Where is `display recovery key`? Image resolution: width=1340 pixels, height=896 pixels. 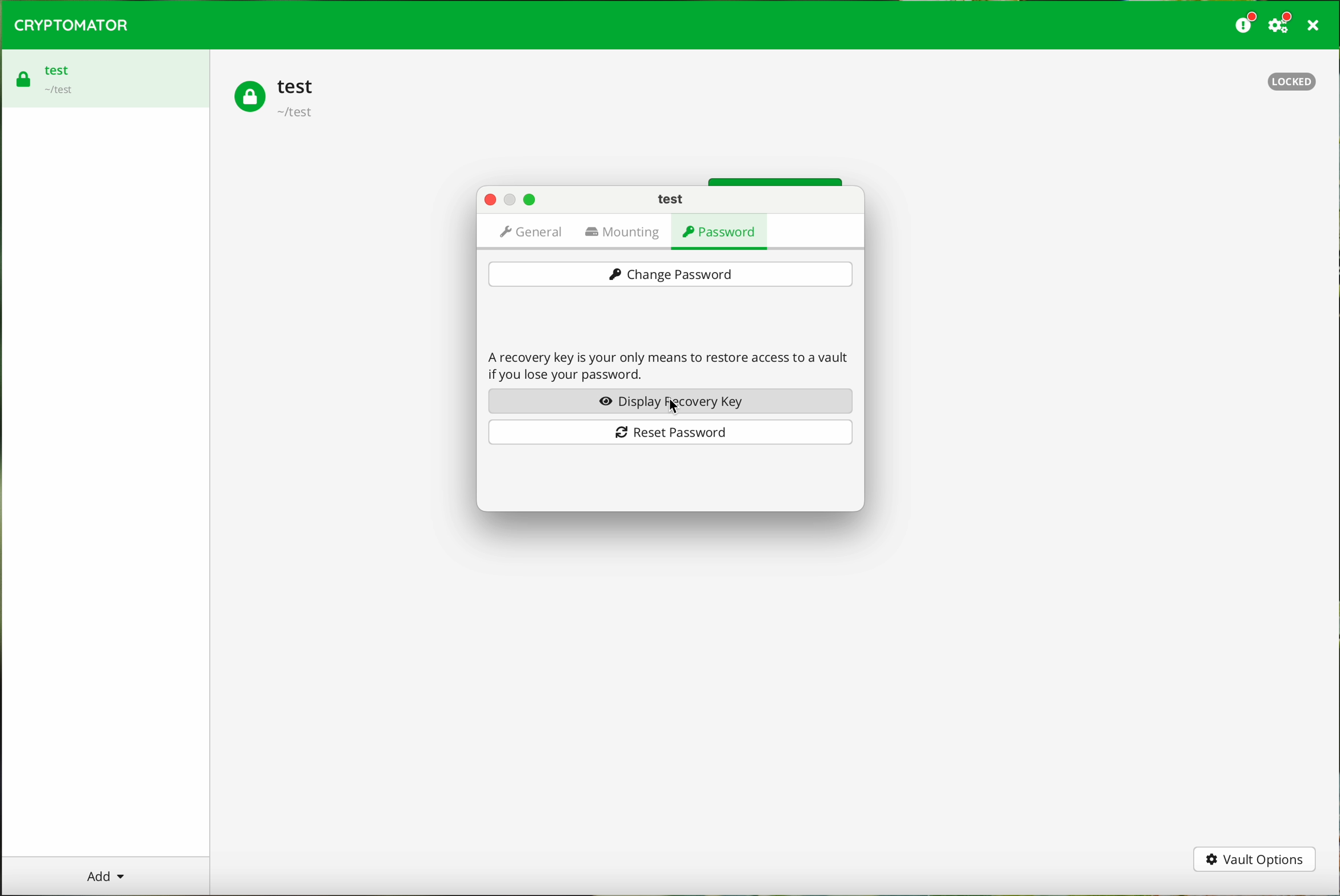
display recovery key is located at coordinates (669, 402).